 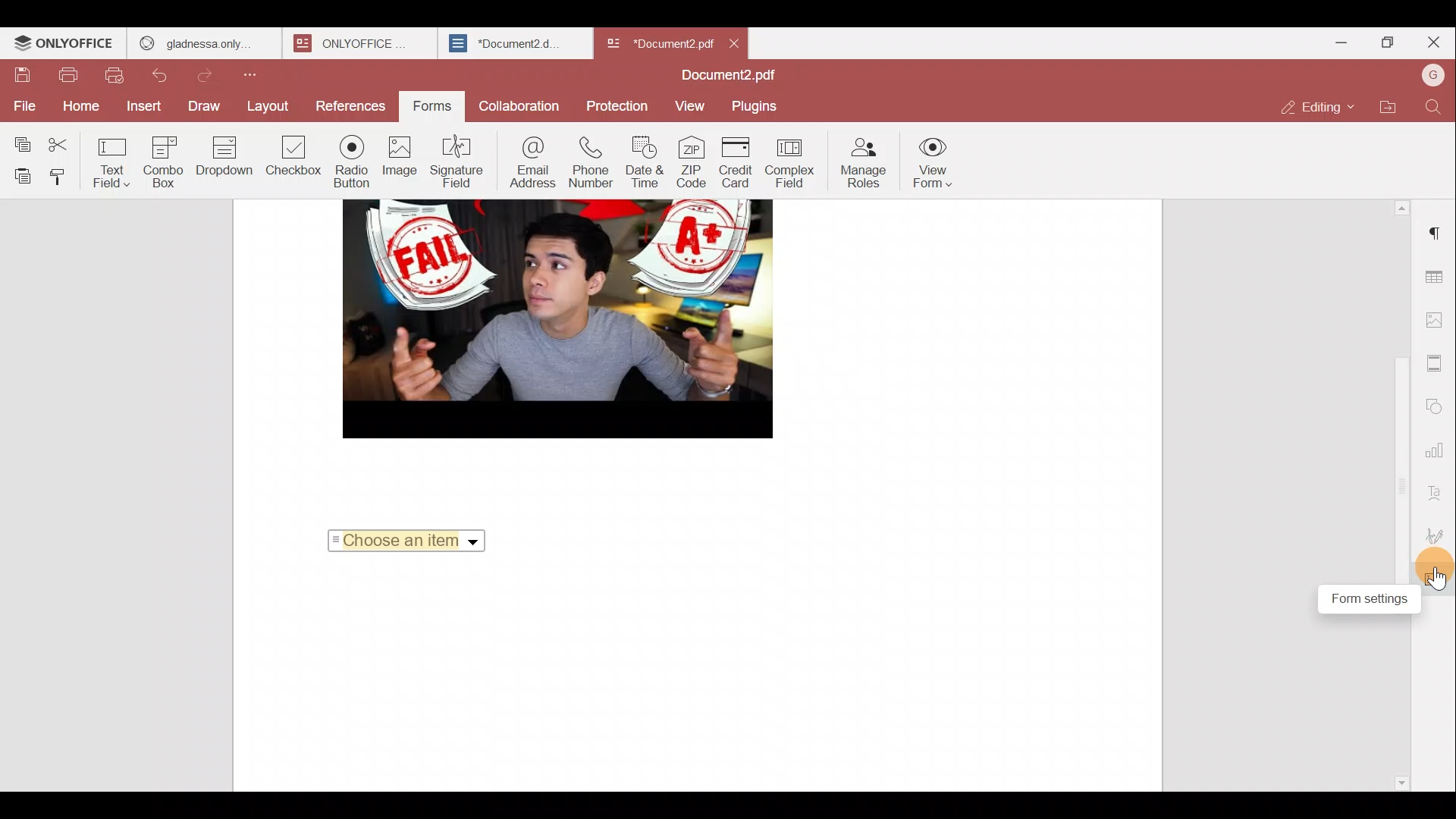 What do you see at coordinates (140, 106) in the screenshot?
I see `Insert` at bounding box center [140, 106].